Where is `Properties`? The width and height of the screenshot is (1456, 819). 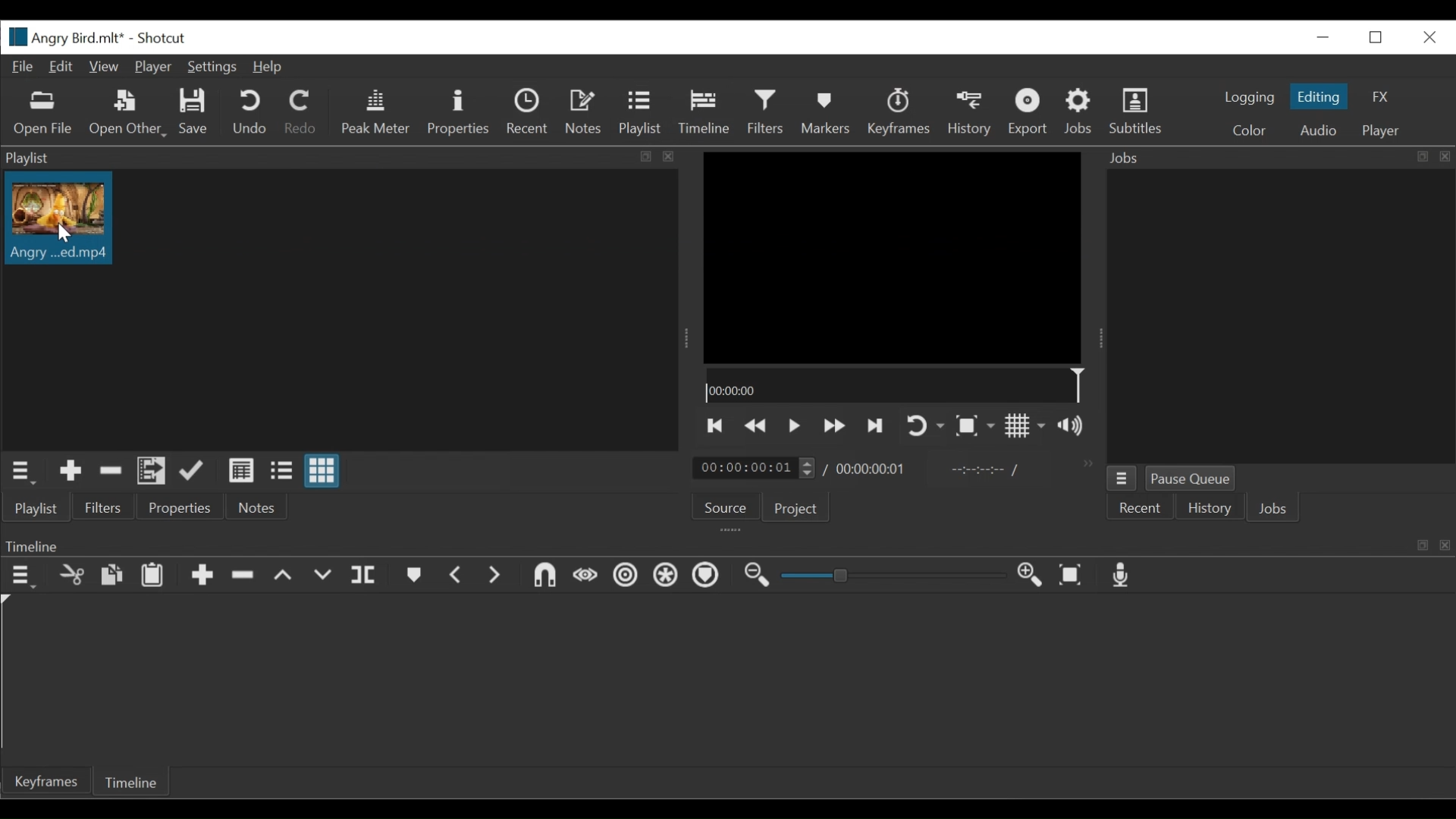 Properties is located at coordinates (457, 113).